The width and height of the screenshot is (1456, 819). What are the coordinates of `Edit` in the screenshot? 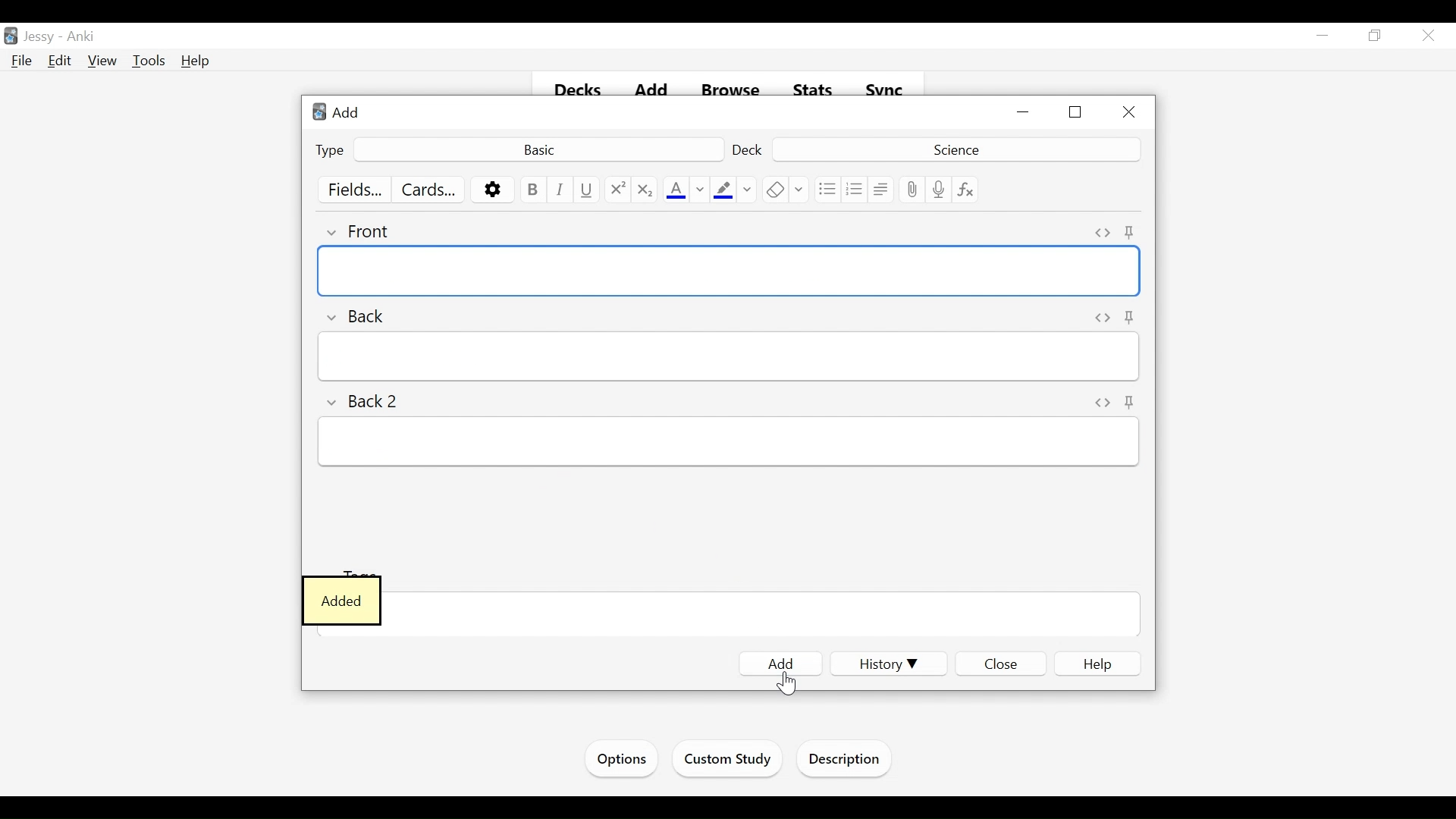 It's located at (60, 60).